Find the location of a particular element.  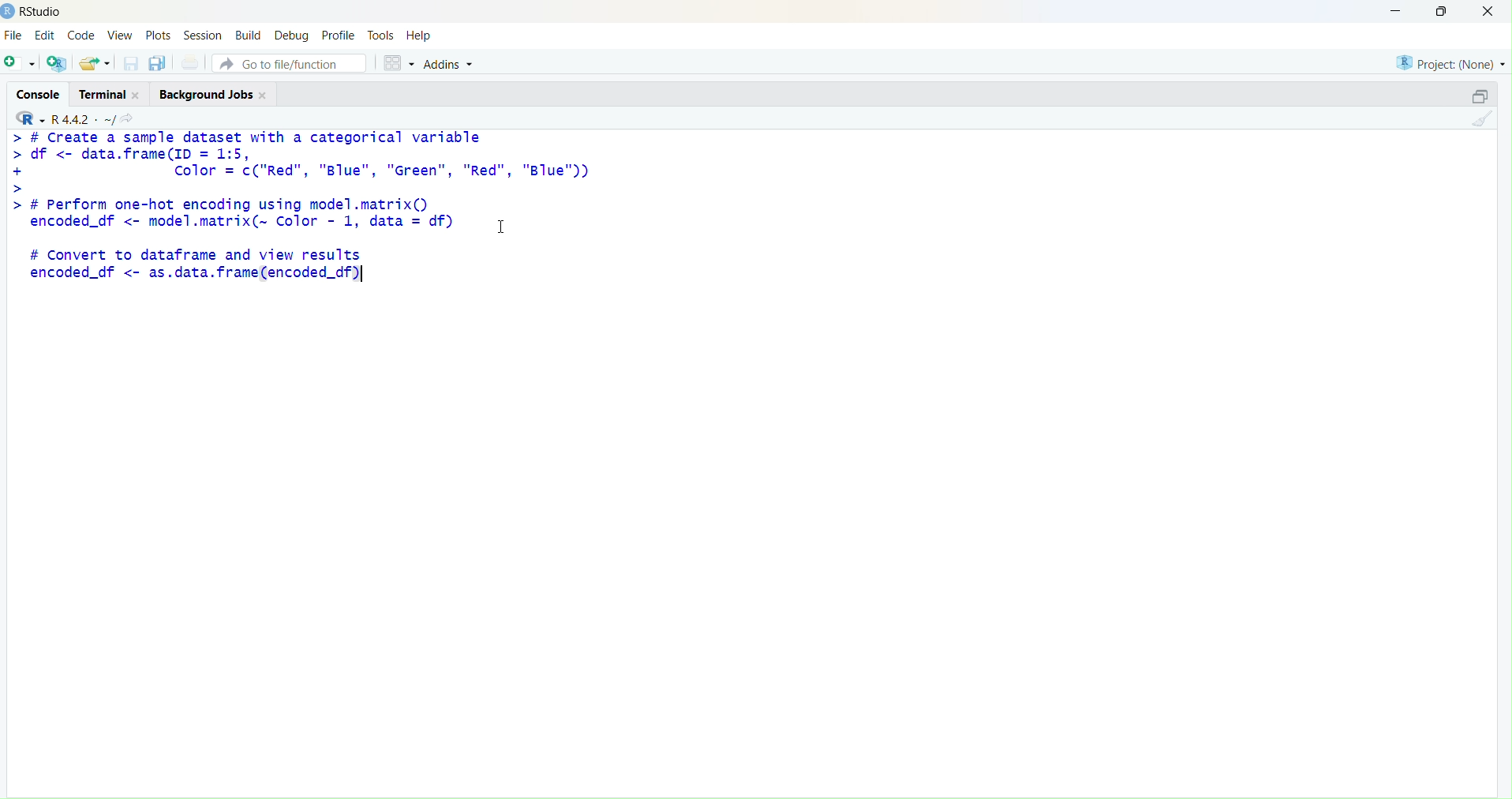

close is located at coordinates (1488, 10).